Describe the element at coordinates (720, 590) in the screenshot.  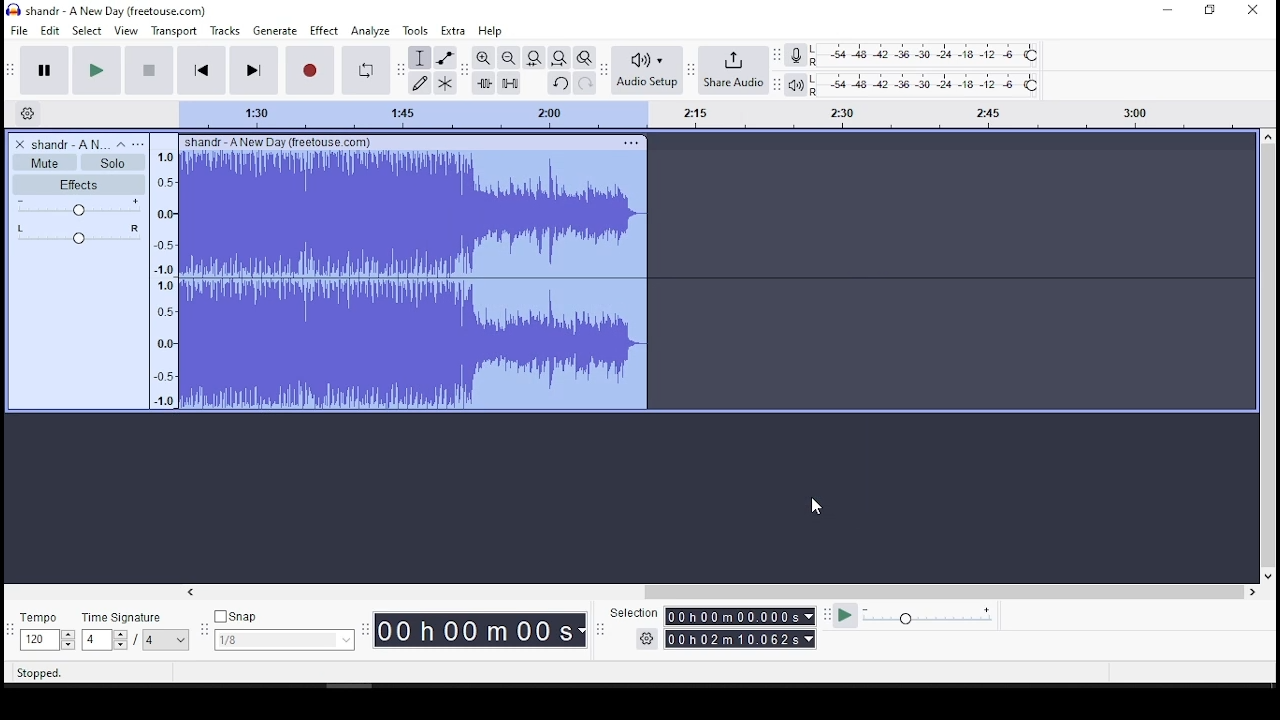
I see `scroll bar` at that location.